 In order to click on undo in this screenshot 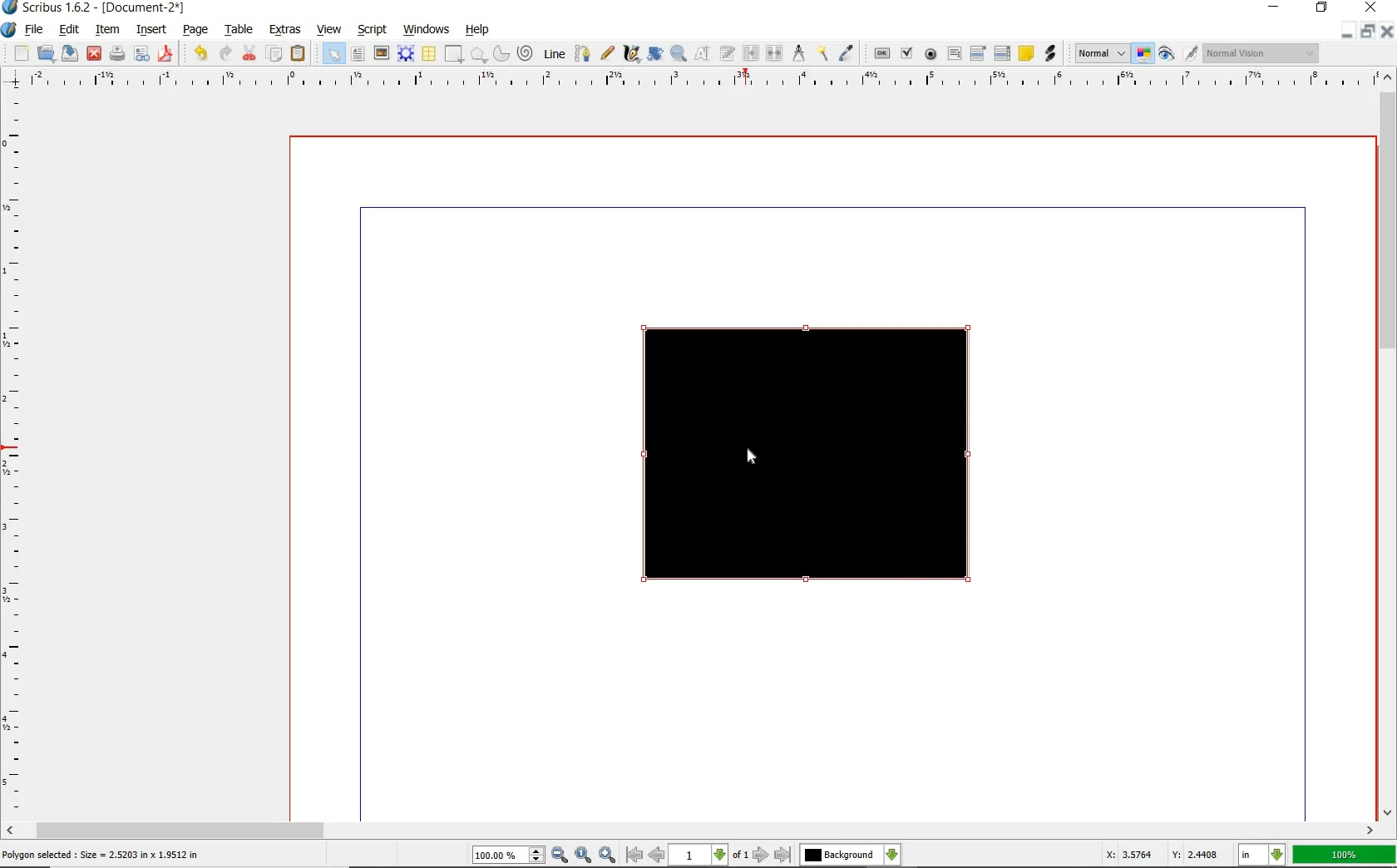, I will do `click(200, 55)`.